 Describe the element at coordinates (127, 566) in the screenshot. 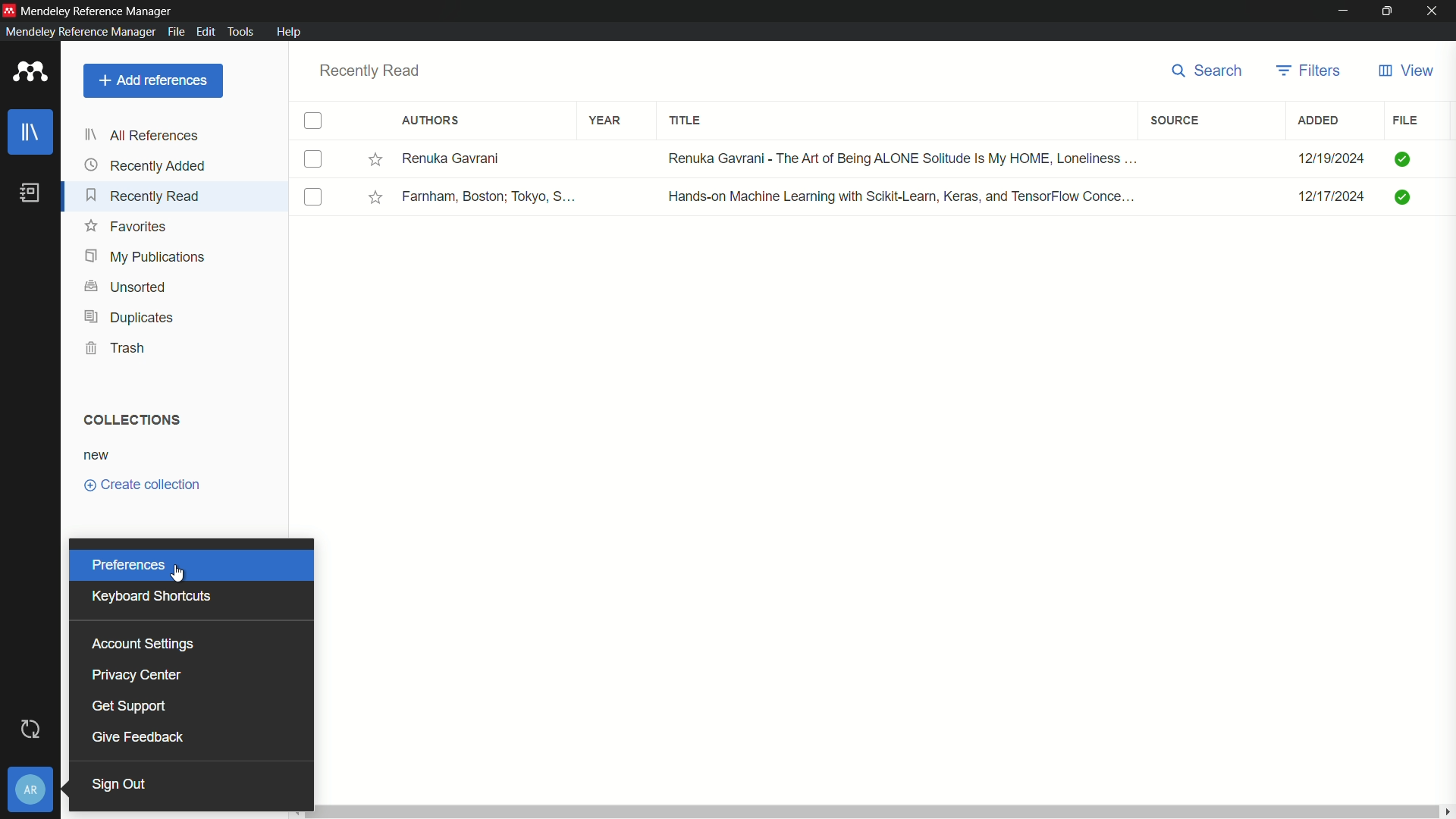

I see `preferences` at that location.